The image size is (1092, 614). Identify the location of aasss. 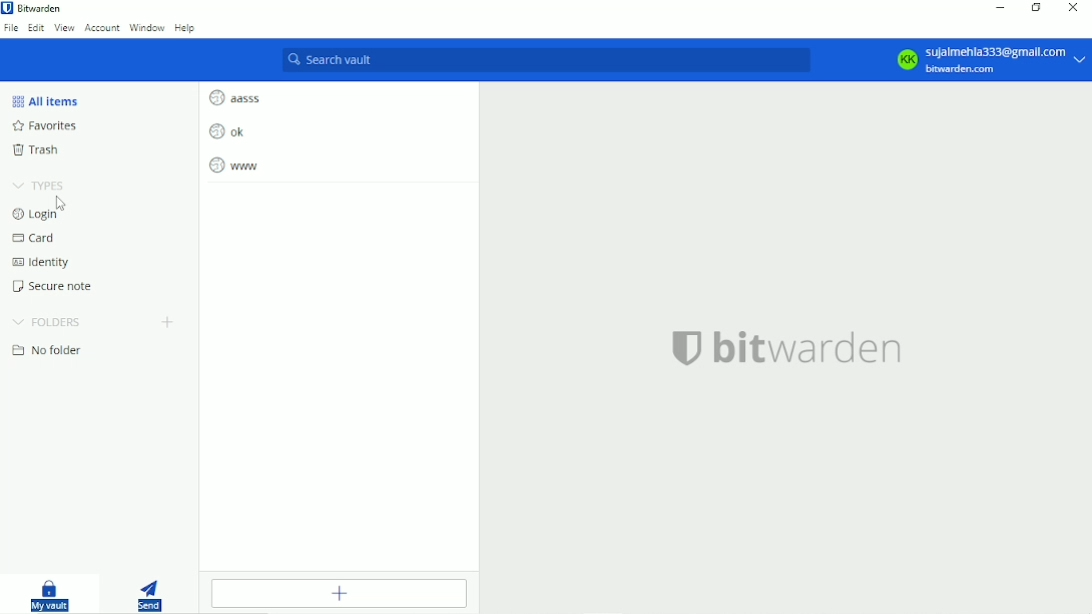
(237, 96).